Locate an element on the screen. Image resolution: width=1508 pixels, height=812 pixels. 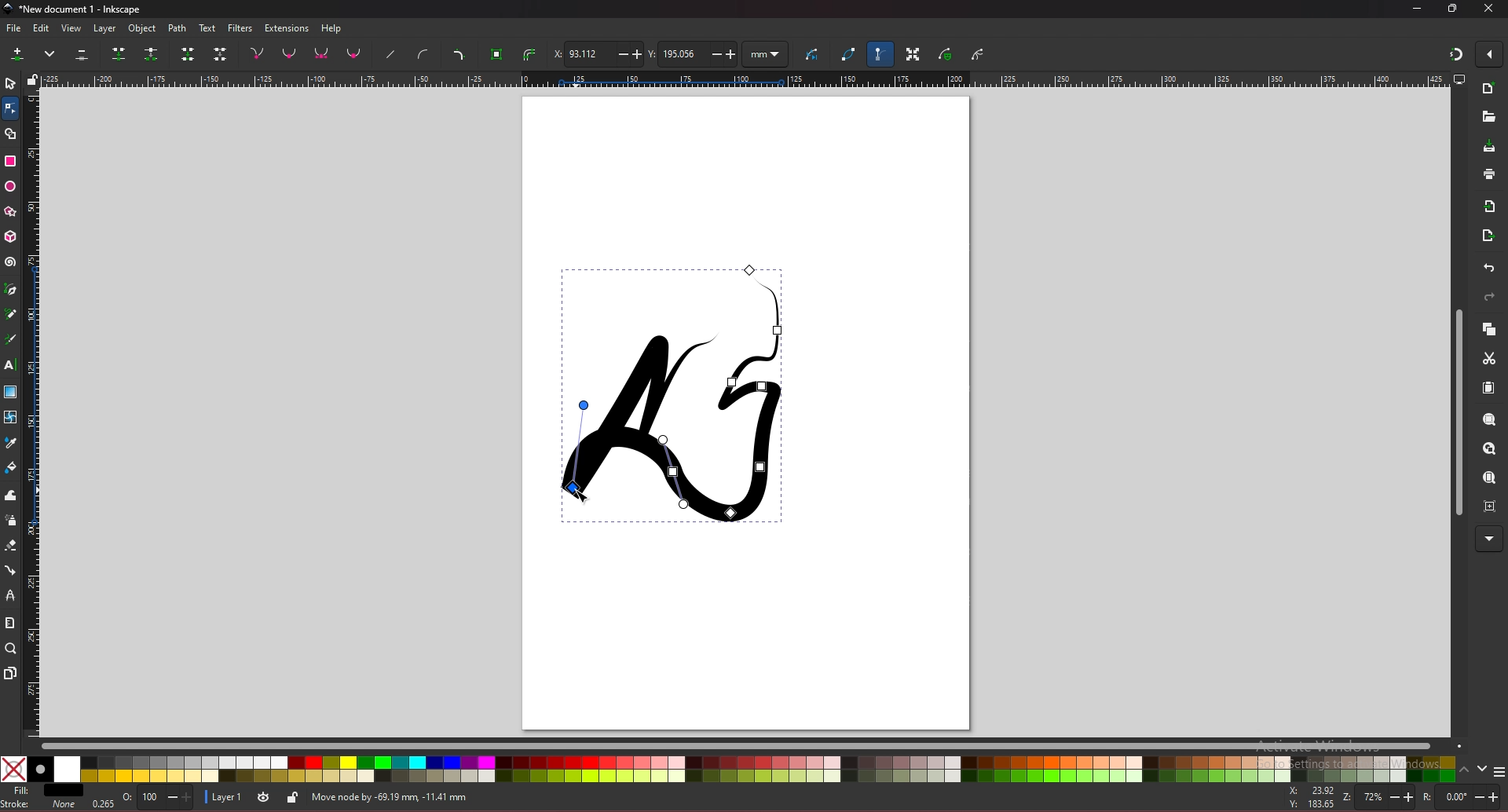
zoom is located at coordinates (1377, 797).